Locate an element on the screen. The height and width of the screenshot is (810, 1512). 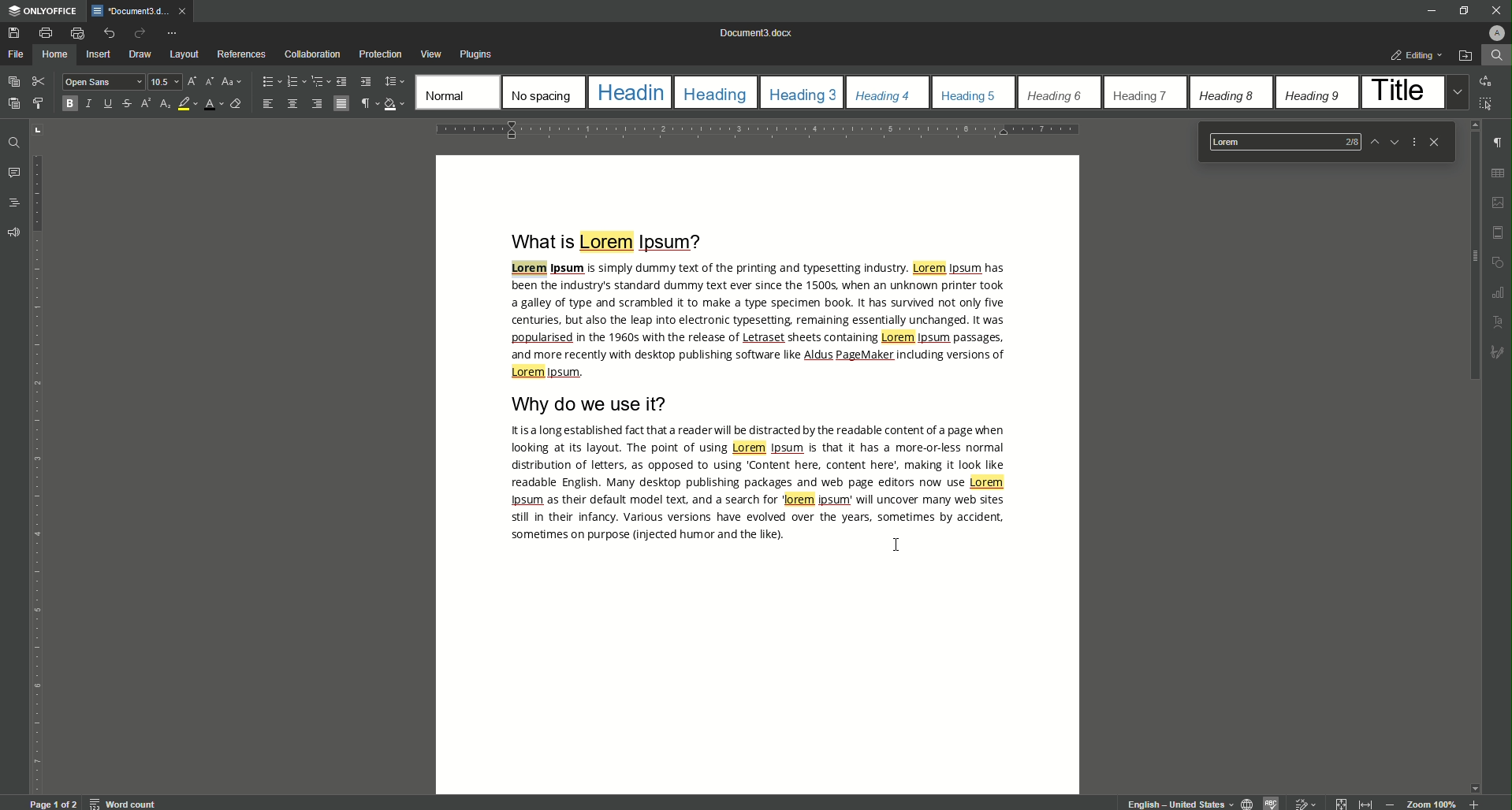
Normal is located at coordinates (454, 90).